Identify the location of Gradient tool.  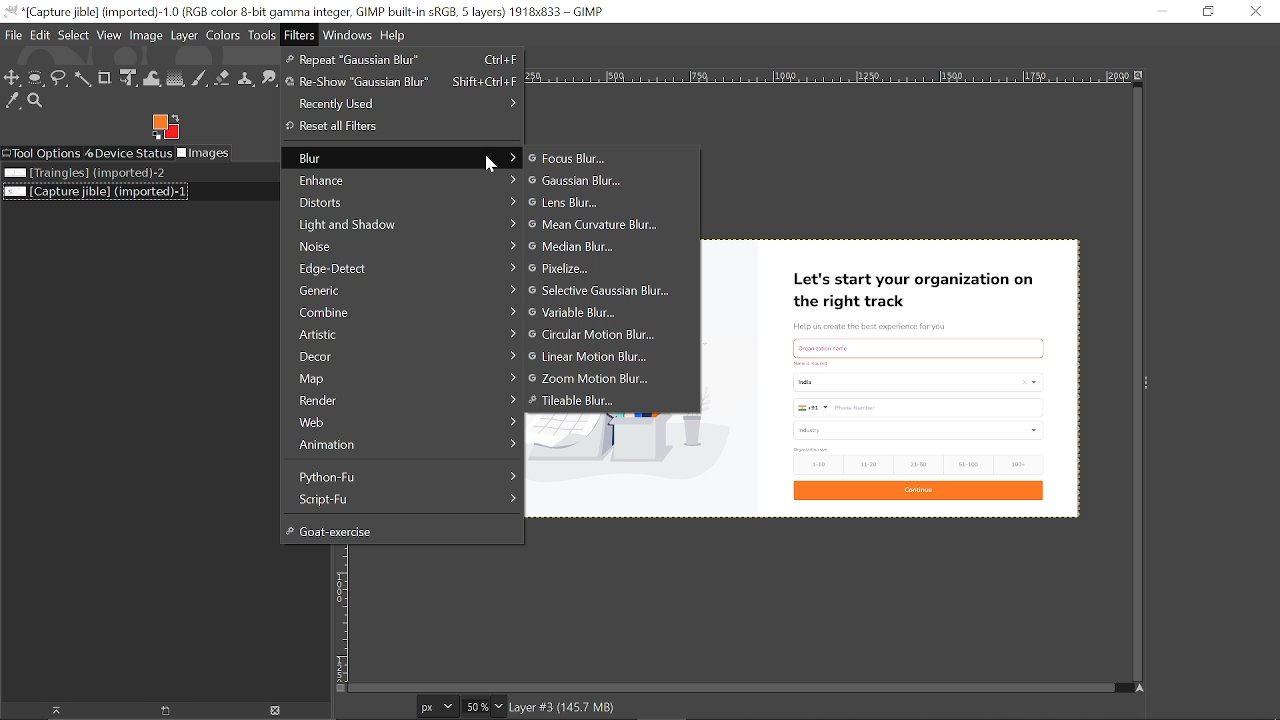
(176, 78).